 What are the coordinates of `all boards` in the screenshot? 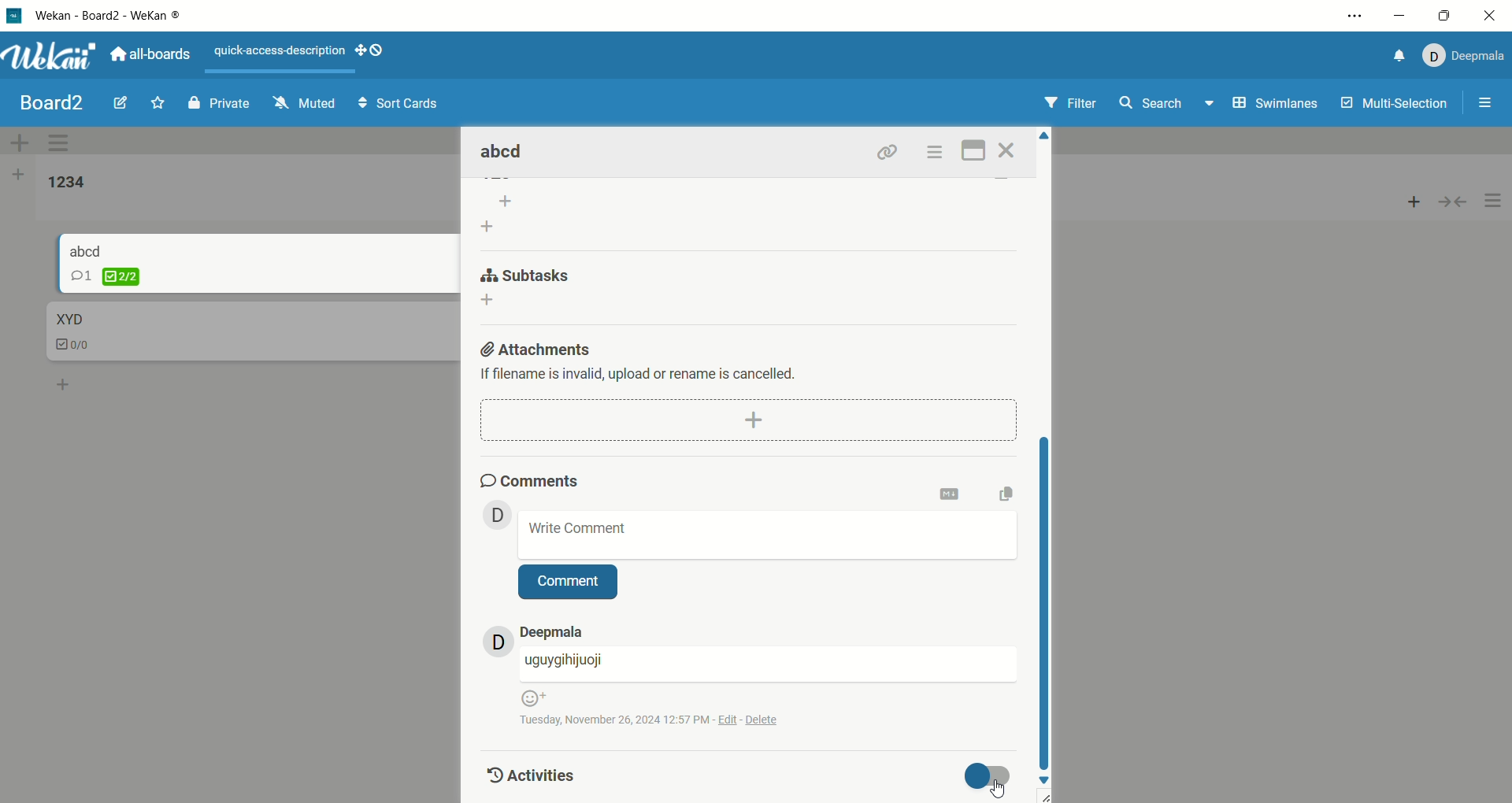 It's located at (150, 53).